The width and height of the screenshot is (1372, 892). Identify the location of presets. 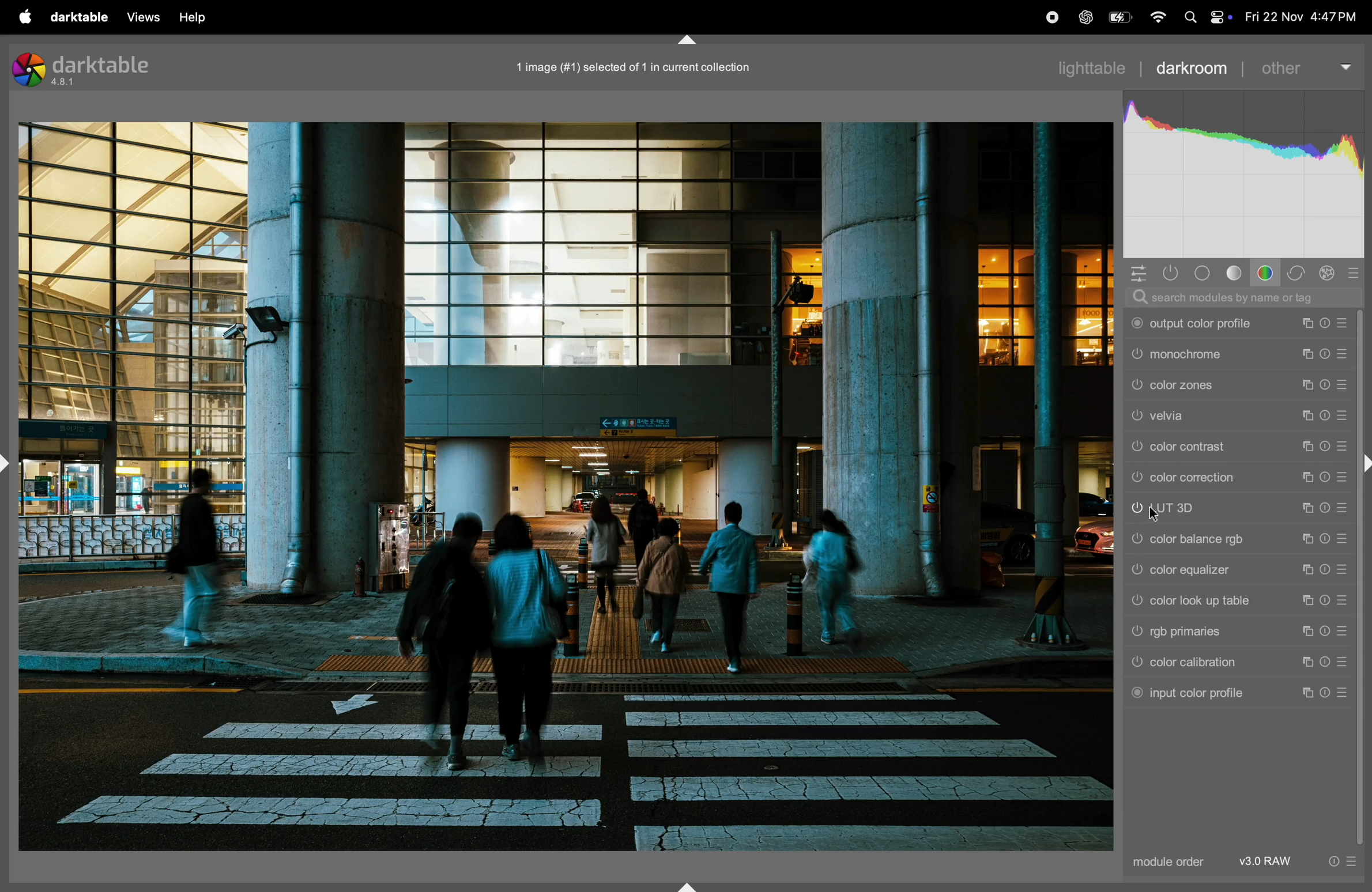
(1345, 537).